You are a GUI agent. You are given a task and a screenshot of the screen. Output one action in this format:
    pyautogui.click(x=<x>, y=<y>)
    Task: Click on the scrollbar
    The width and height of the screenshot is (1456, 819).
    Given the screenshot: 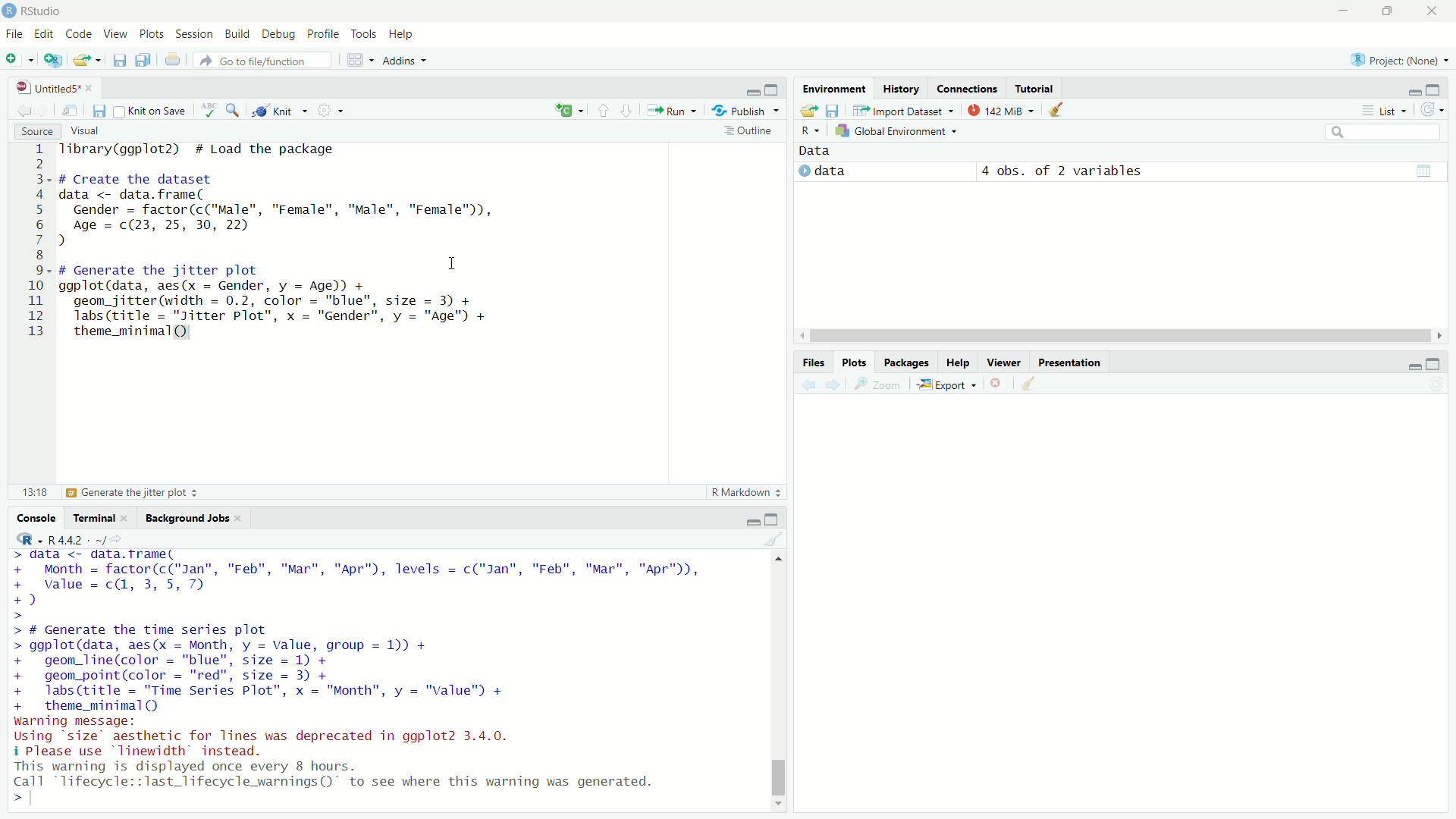 What is the action you would take?
    pyautogui.click(x=777, y=683)
    